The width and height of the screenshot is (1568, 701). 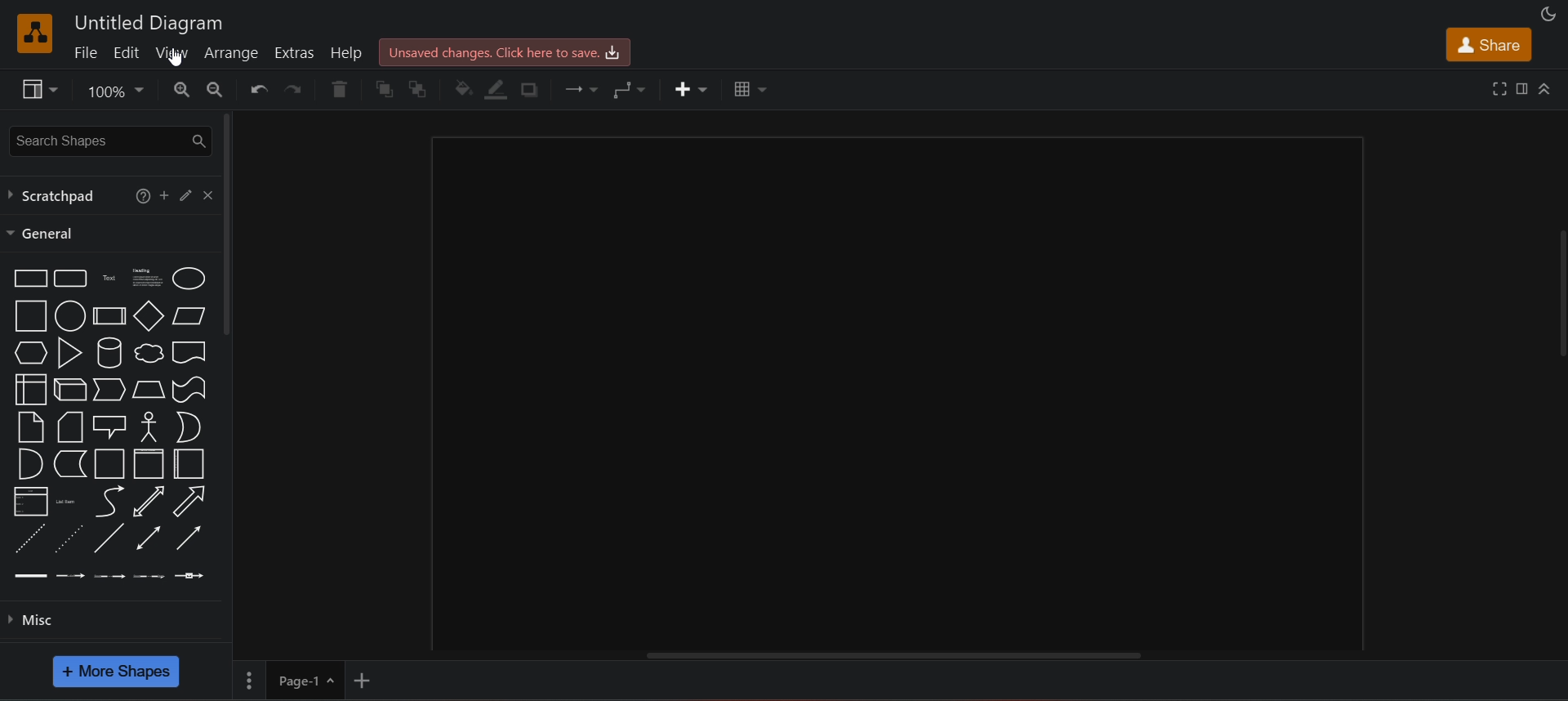 I want to click on appearance, so click(x=1547, y=14).